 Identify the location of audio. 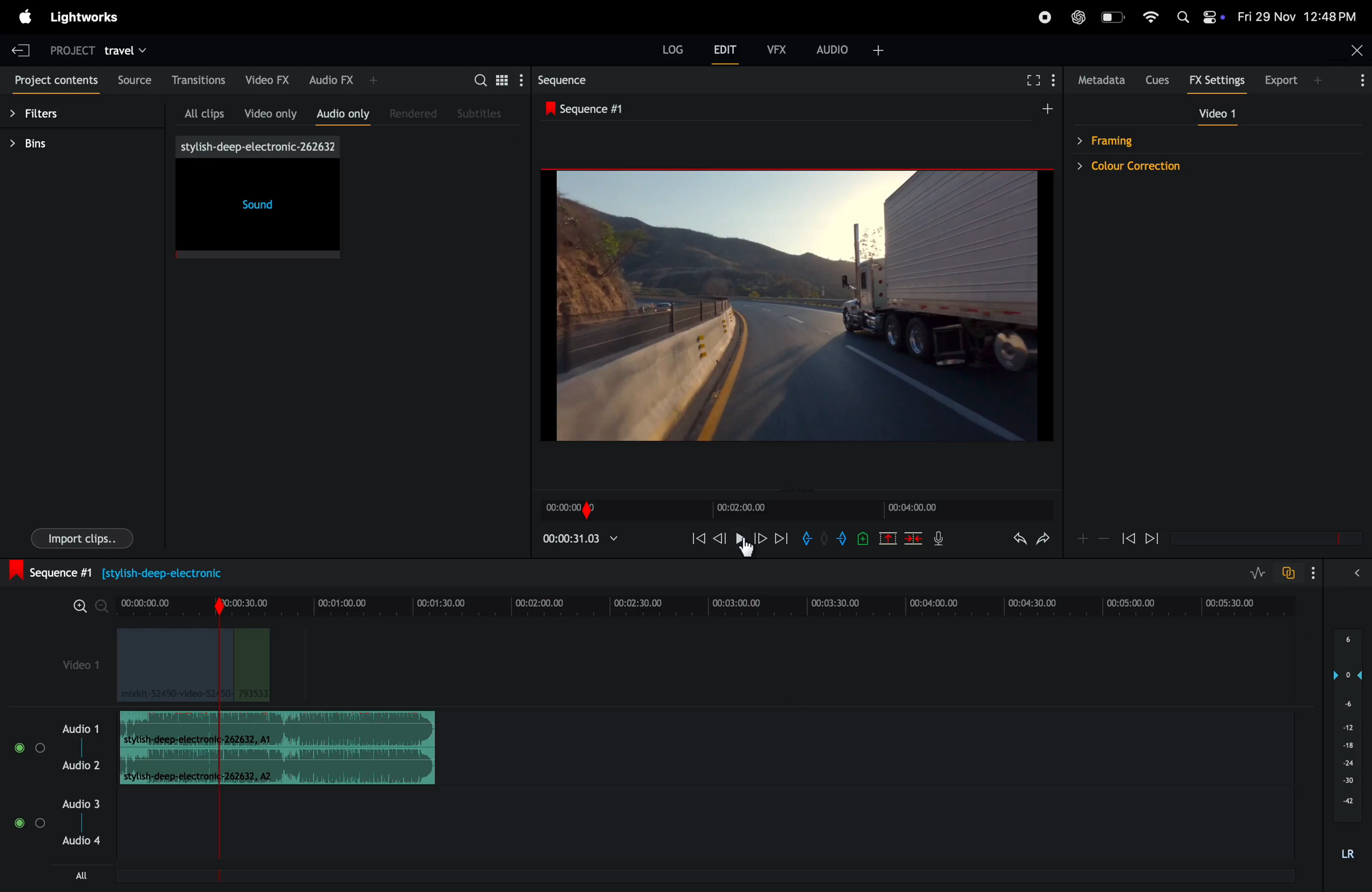
(81, 803).